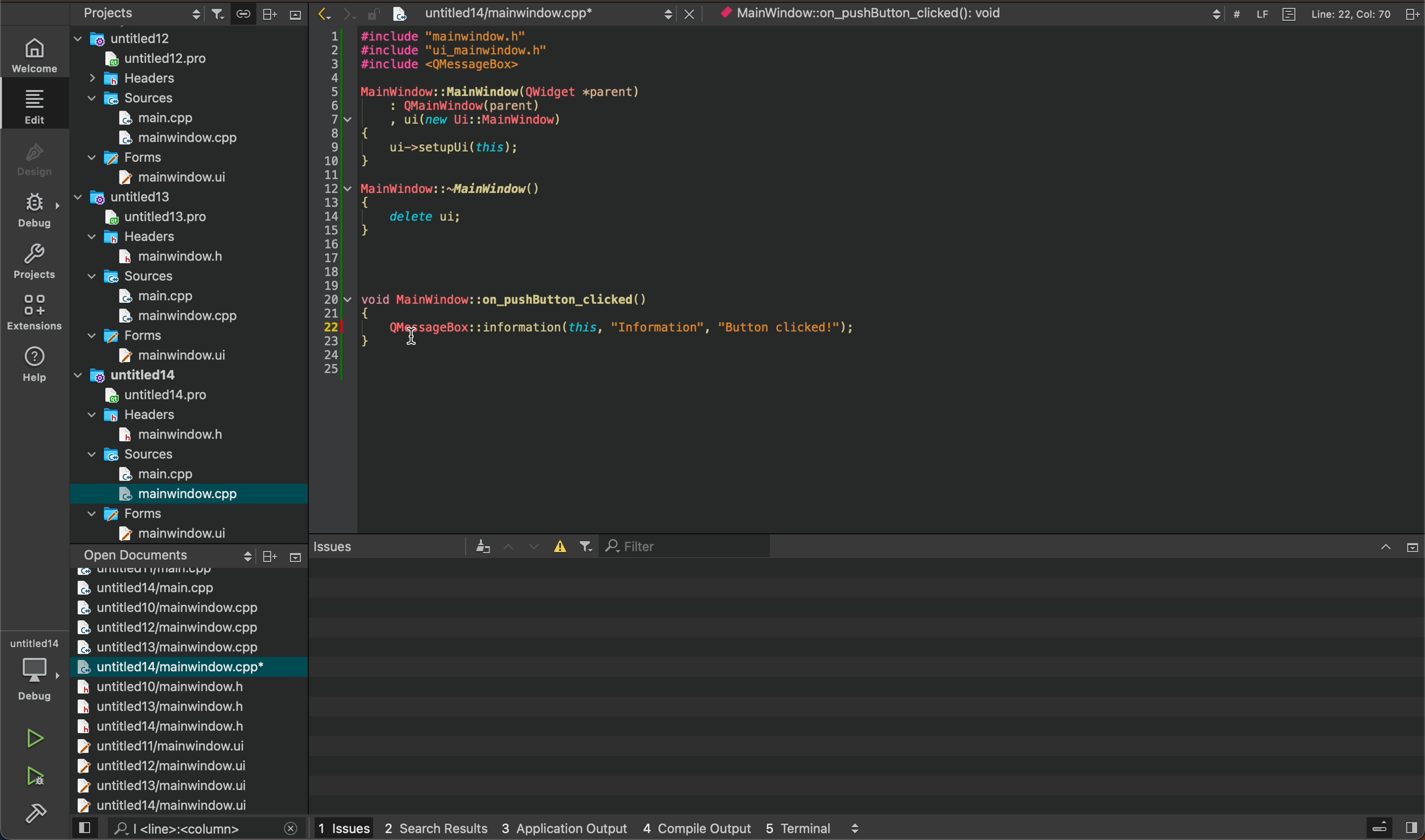  I want to click on headers, so click(143, 236).